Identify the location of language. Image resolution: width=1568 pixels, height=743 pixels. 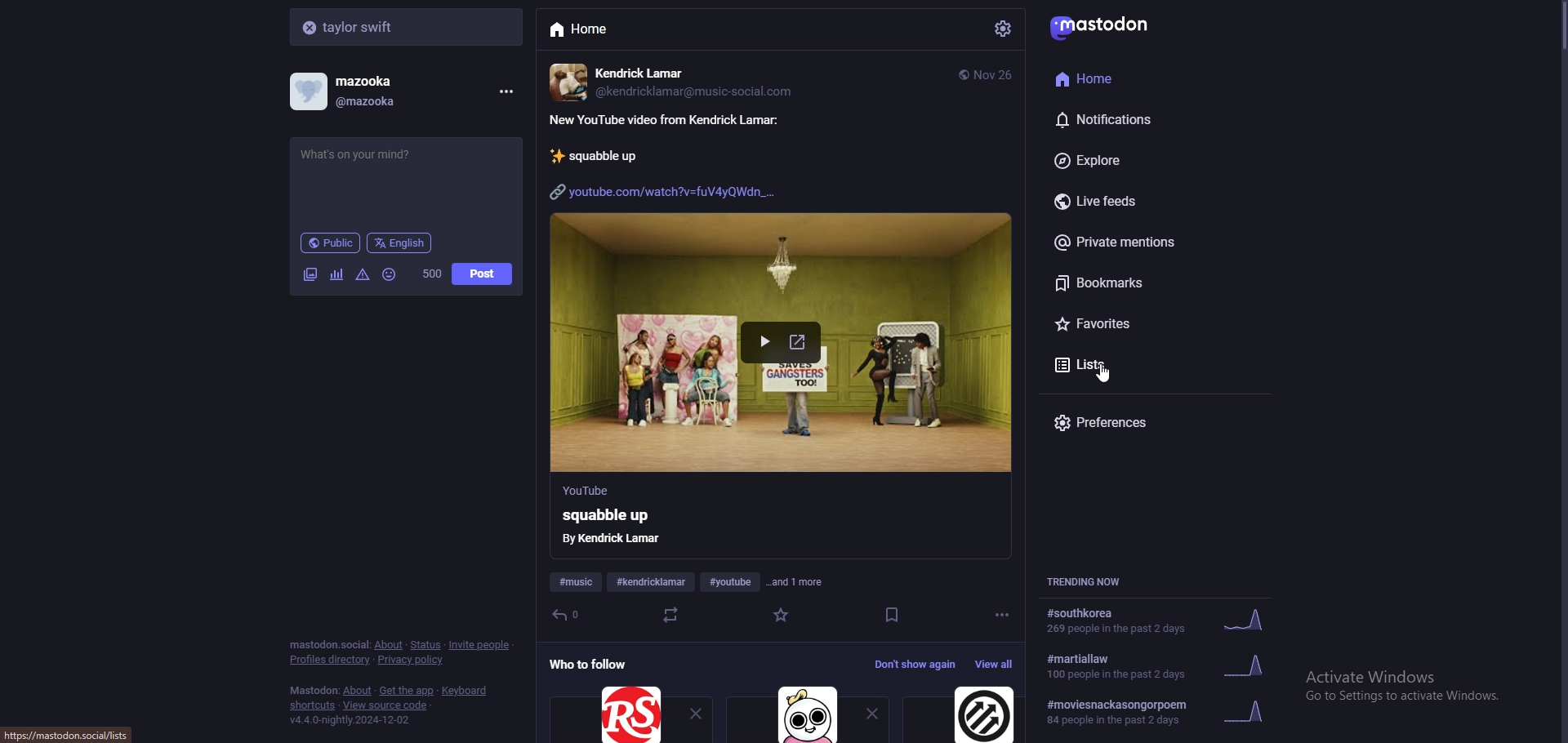
(400, 242).